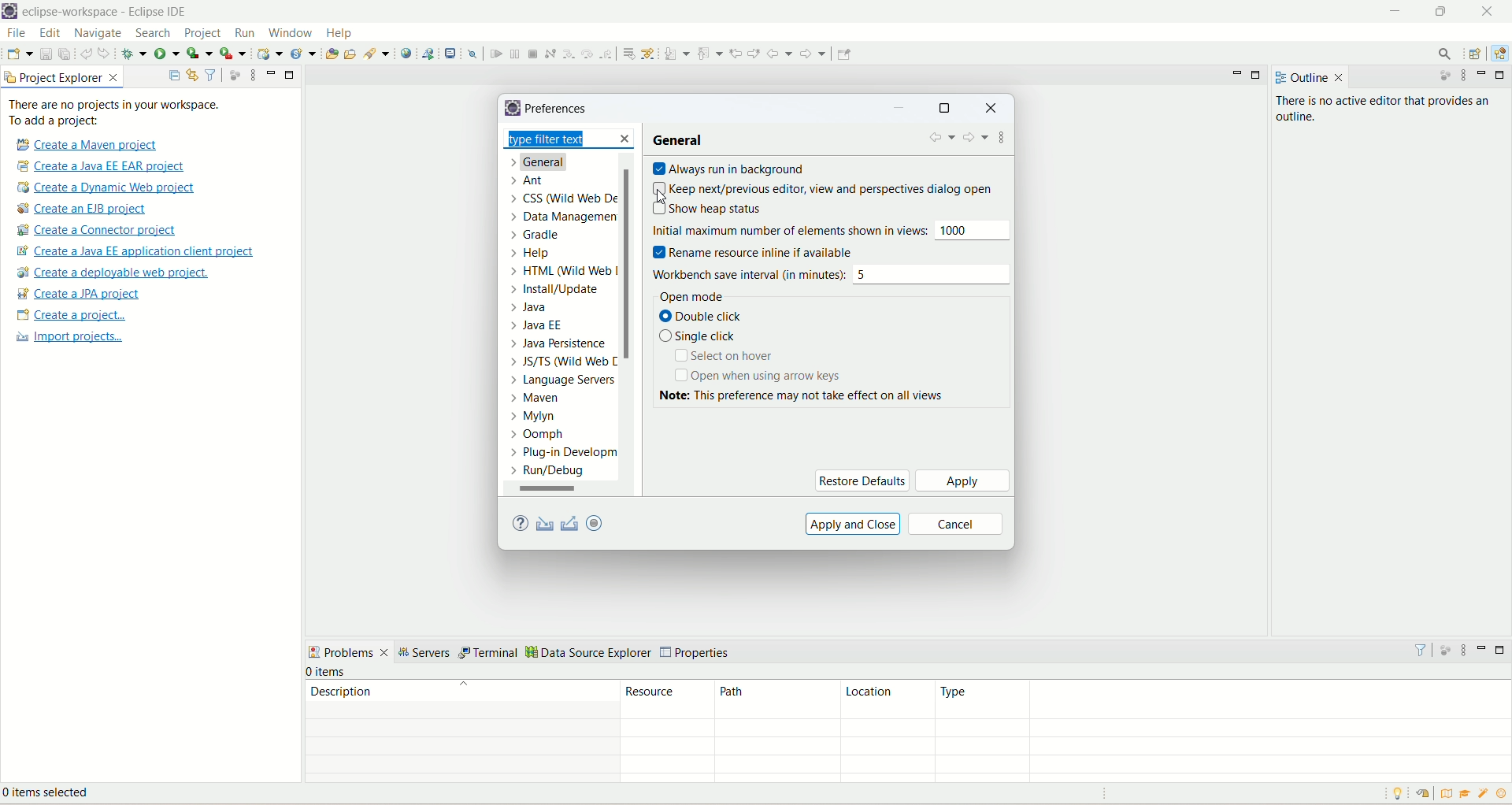  I want to click on create a dynamic web project, so click(270, 54).